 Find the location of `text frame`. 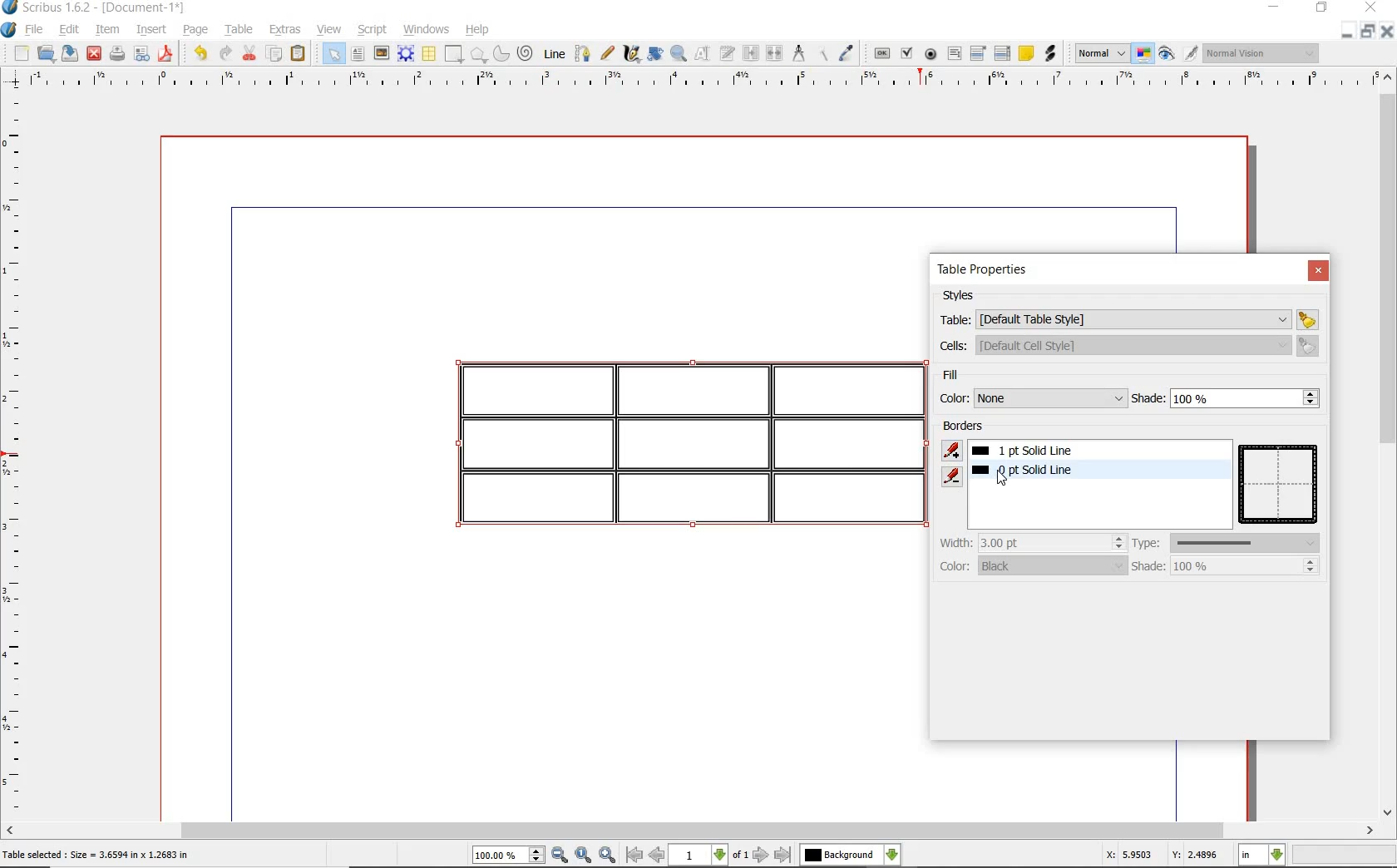

text frame is located at coordinates (358, 54).